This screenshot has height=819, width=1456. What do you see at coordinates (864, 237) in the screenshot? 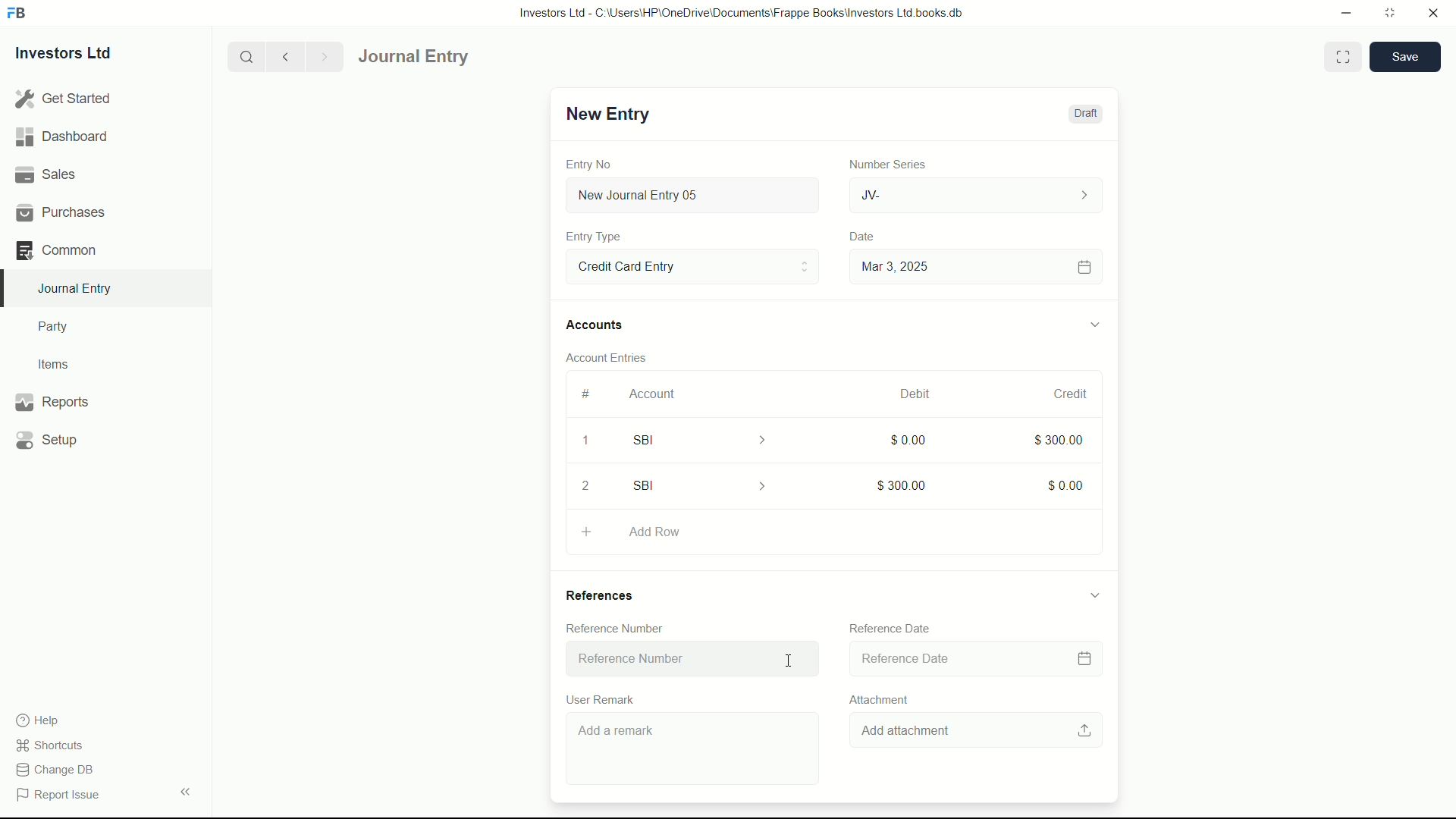
I see `Date` at bounding box center [864, 237].